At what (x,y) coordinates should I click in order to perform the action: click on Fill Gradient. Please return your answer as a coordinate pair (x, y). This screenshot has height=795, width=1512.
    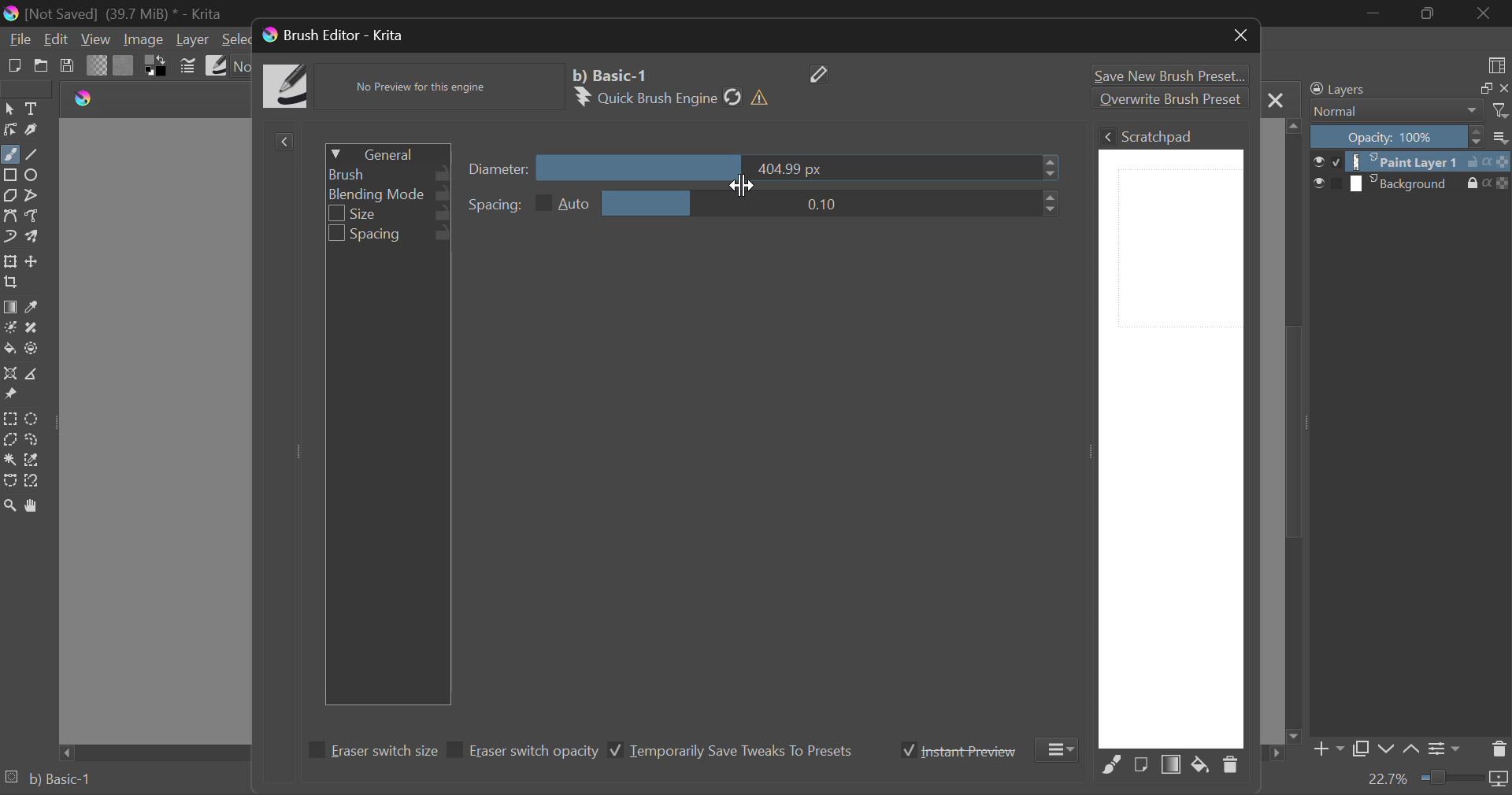
    Looking at the image, I should click on (11, 307).